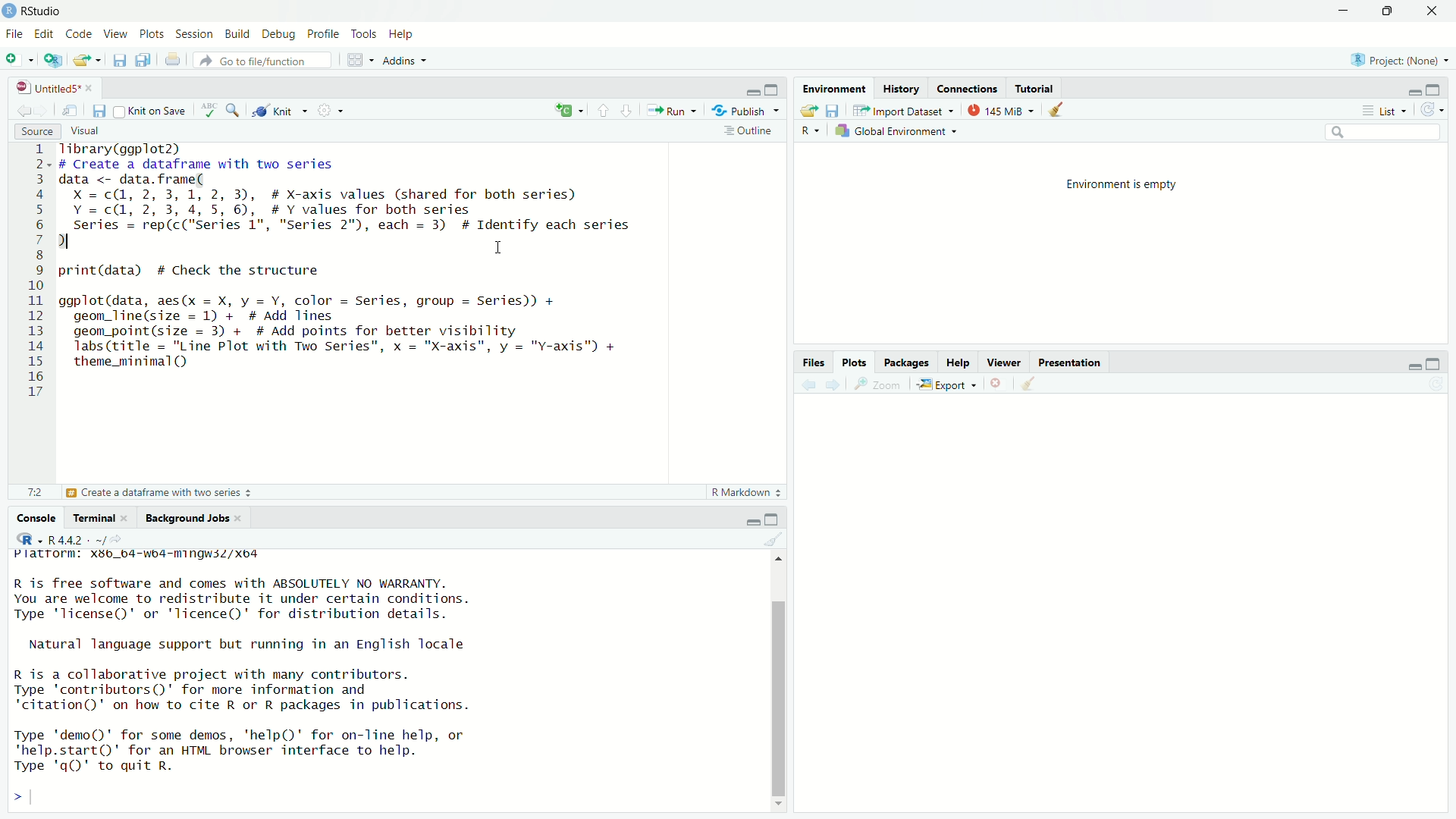 Image resolution: width=1456 pixels, height=819 pixels. Describe the element at coordinates (1412, 366) in the screenshot. I see `minimize` at that location.